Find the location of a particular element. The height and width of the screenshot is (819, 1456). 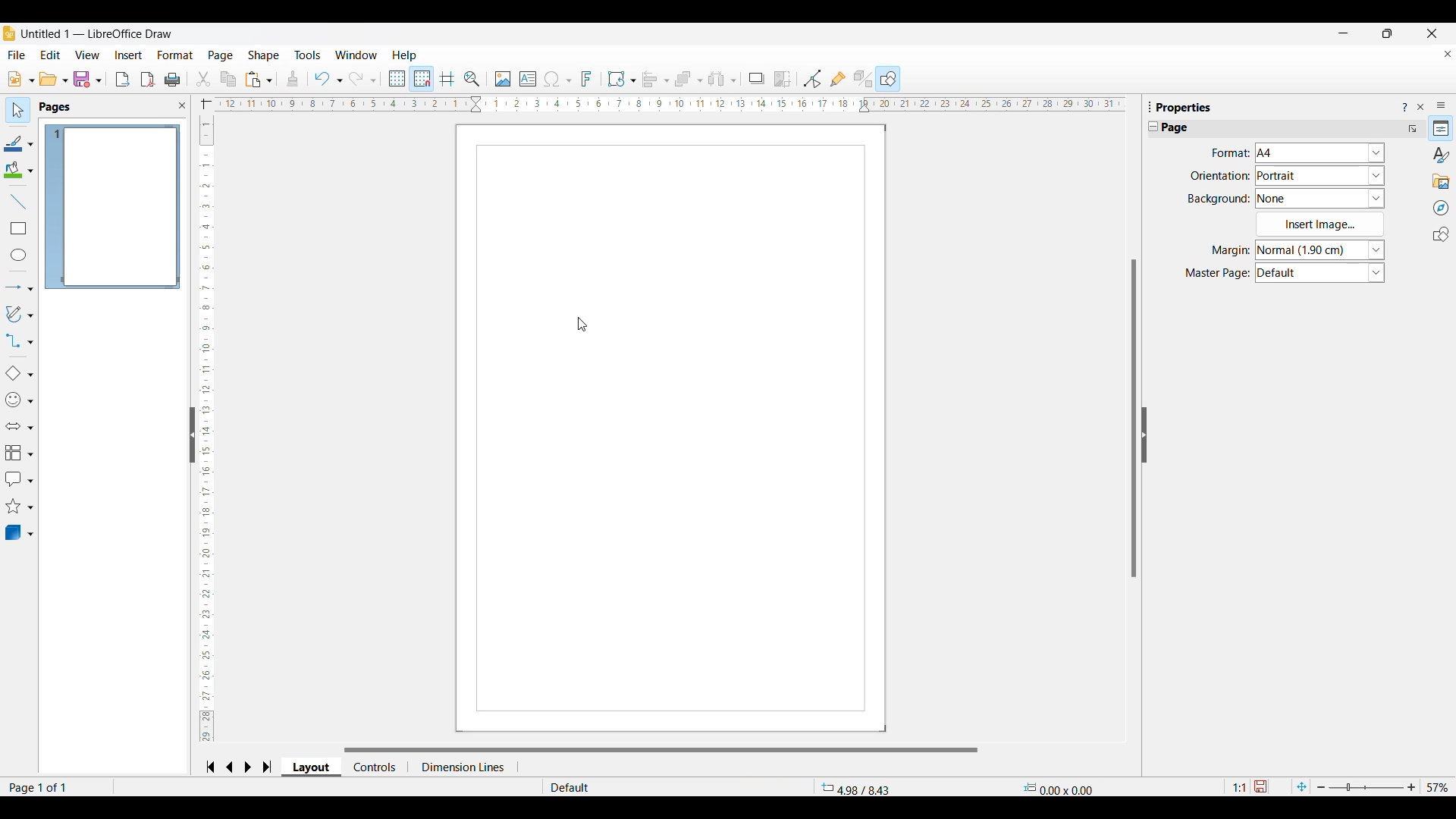

Star and banner options is located at coordinates (19, 507).